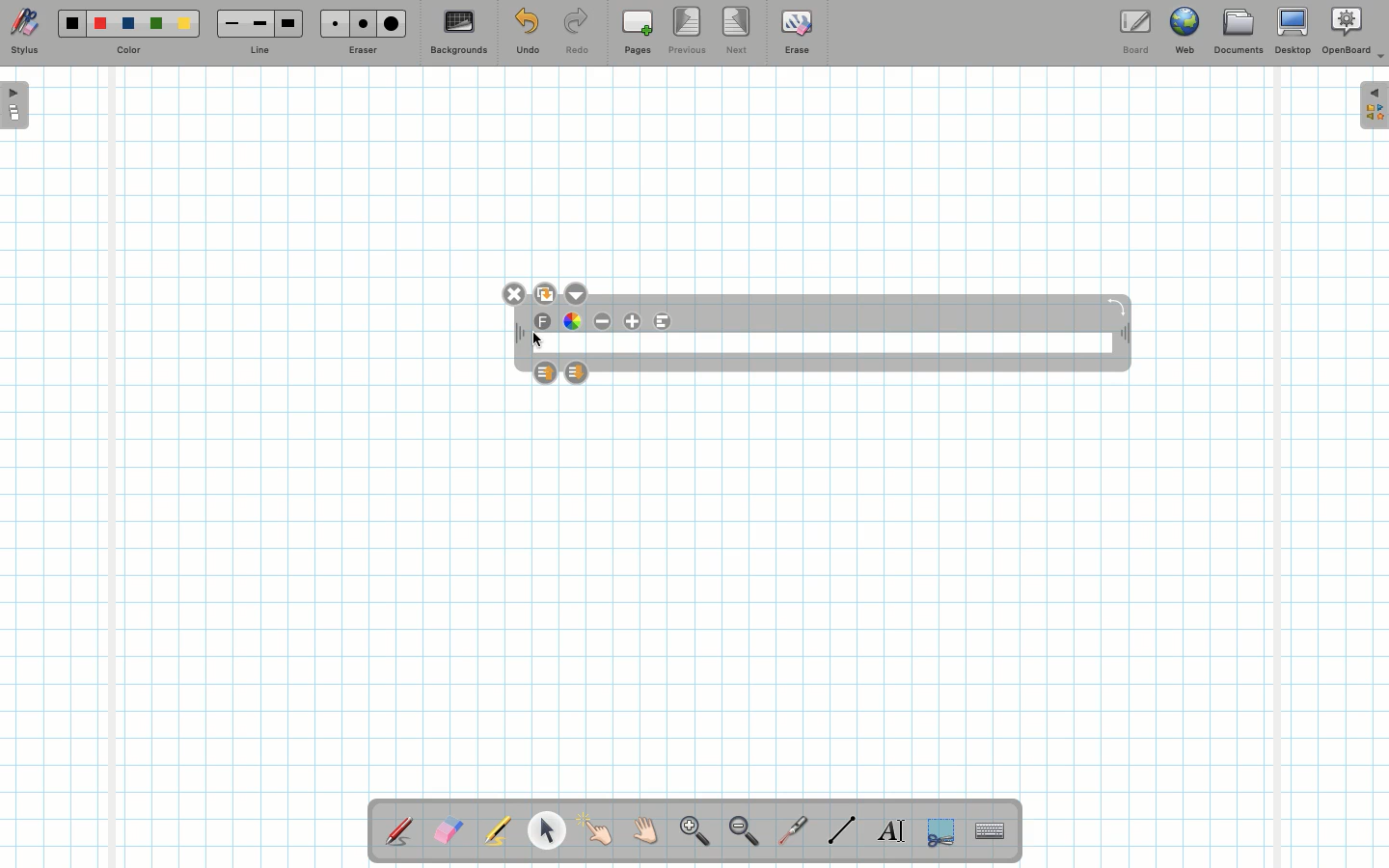  What do you see at coordinates (540, 341) in the screenshot?
I see `cursor` at bounding box center [540, 341].